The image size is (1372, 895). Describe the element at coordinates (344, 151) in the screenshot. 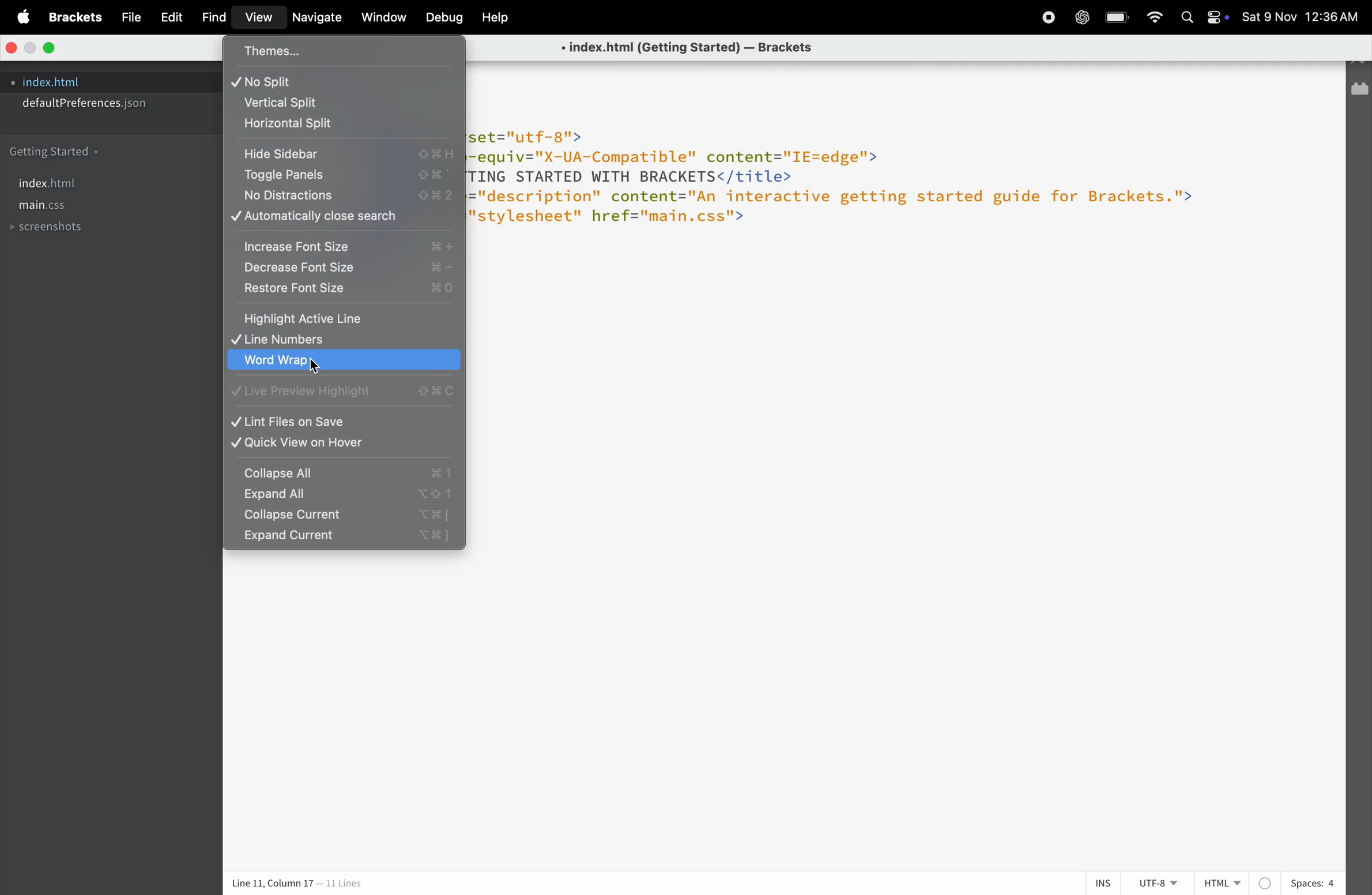

I see `hidebar` at that location.